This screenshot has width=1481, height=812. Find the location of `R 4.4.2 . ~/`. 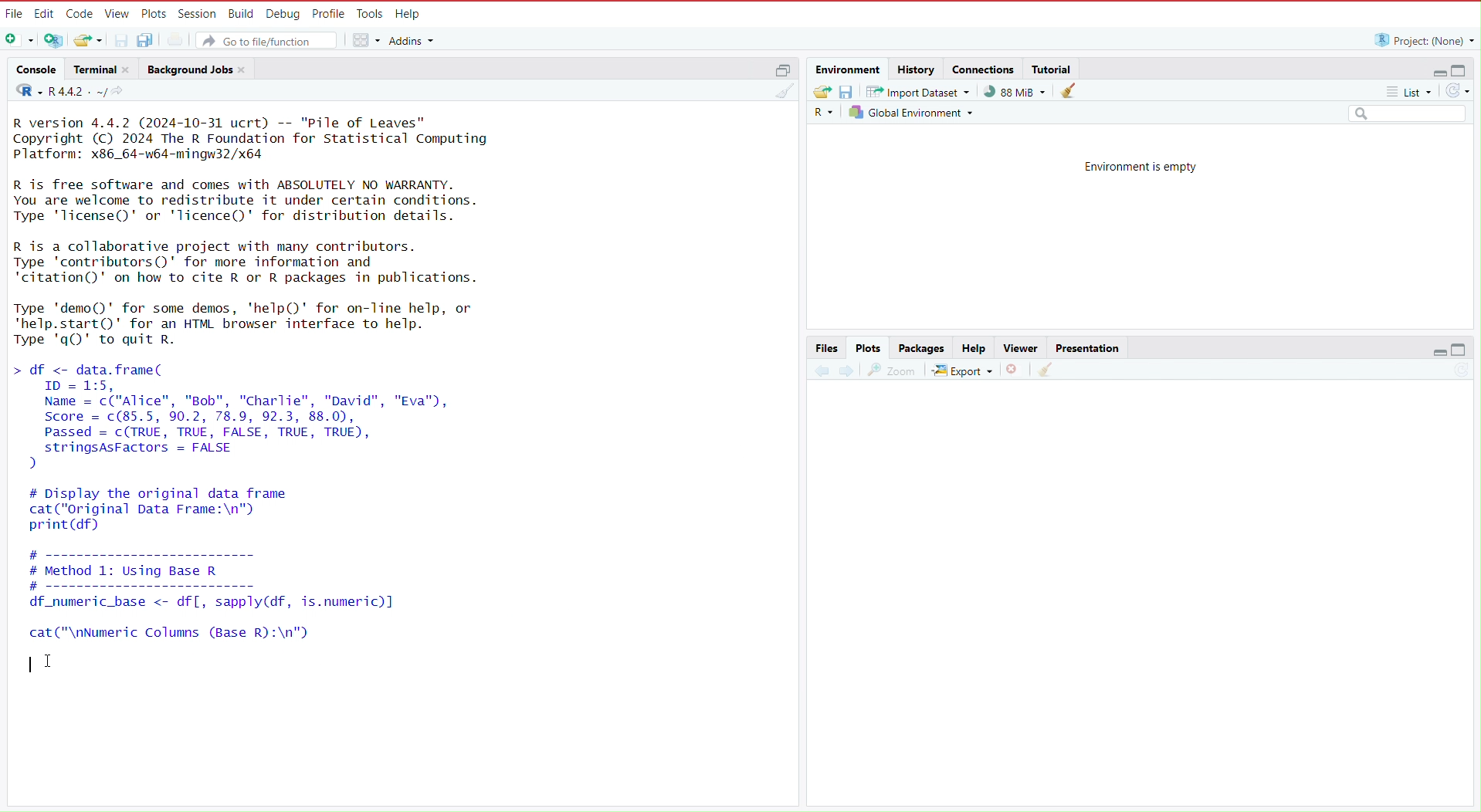

R 4.4.2 . ~/ is located at coordinates (76, 90).